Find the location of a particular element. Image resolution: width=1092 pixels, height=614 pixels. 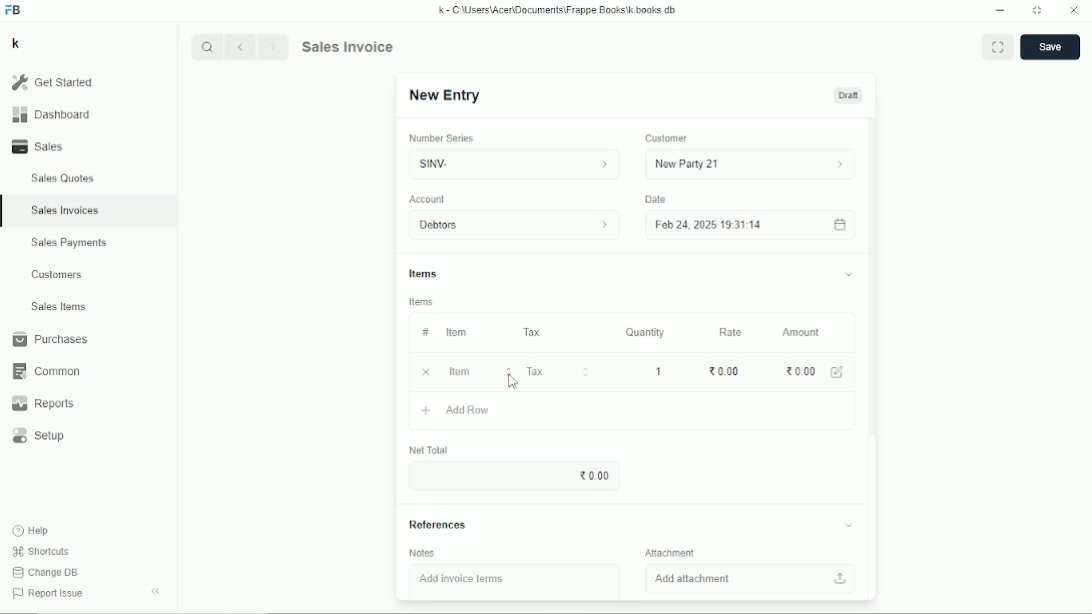

Backward is located at coordinates (244, 46).